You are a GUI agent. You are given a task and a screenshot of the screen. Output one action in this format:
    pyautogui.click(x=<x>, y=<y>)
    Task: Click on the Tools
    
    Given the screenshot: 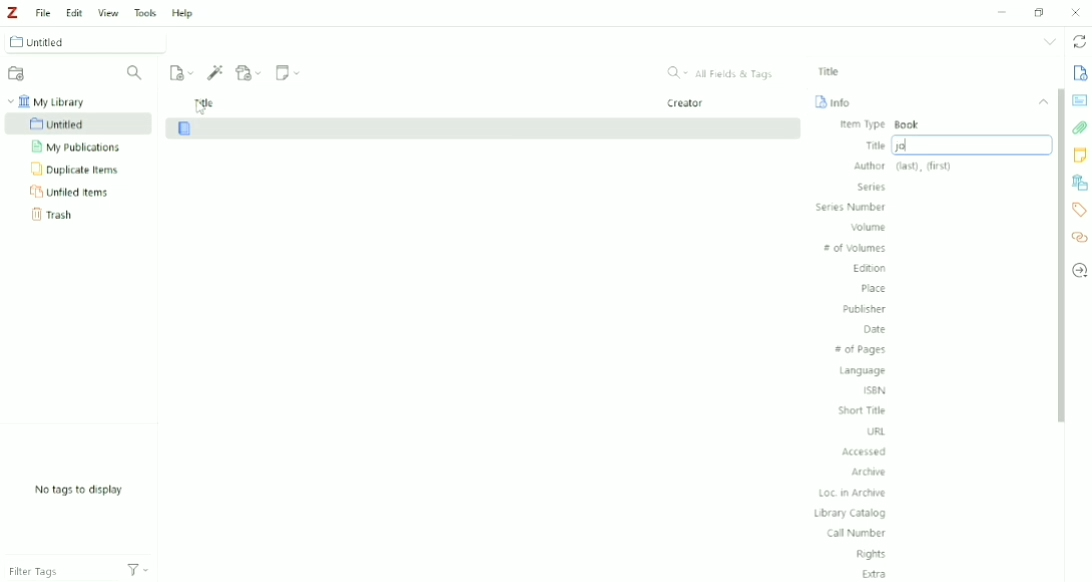 What is the action you would take?
    pyautogui.click(x=144, y=11)
    